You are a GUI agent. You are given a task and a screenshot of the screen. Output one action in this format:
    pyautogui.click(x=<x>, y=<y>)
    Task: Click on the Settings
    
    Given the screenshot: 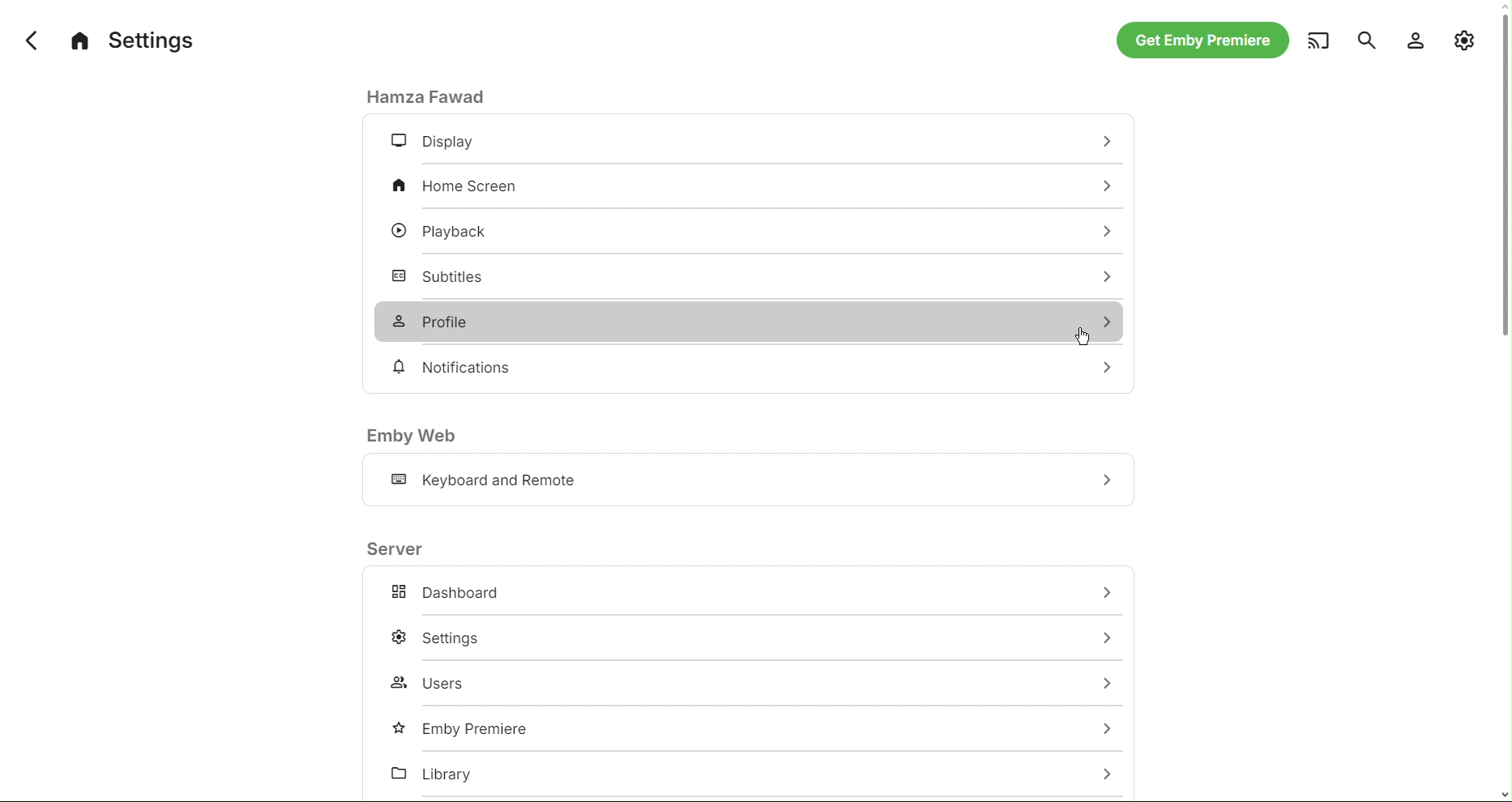 What is the action you would take?
    pyautogui.click(x=441, y=640)
    